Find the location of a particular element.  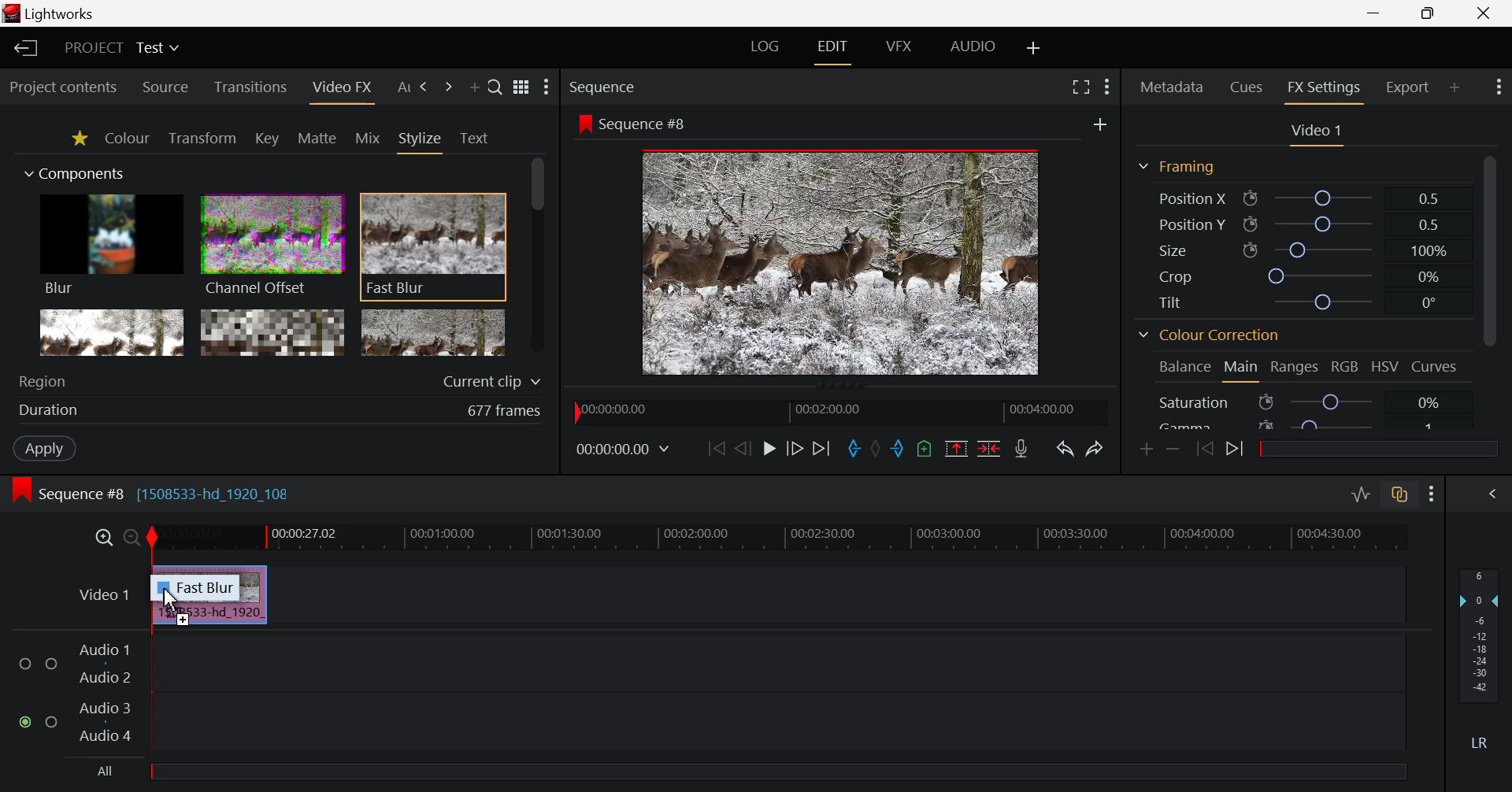

Transform is located at coordinates (203, 138).